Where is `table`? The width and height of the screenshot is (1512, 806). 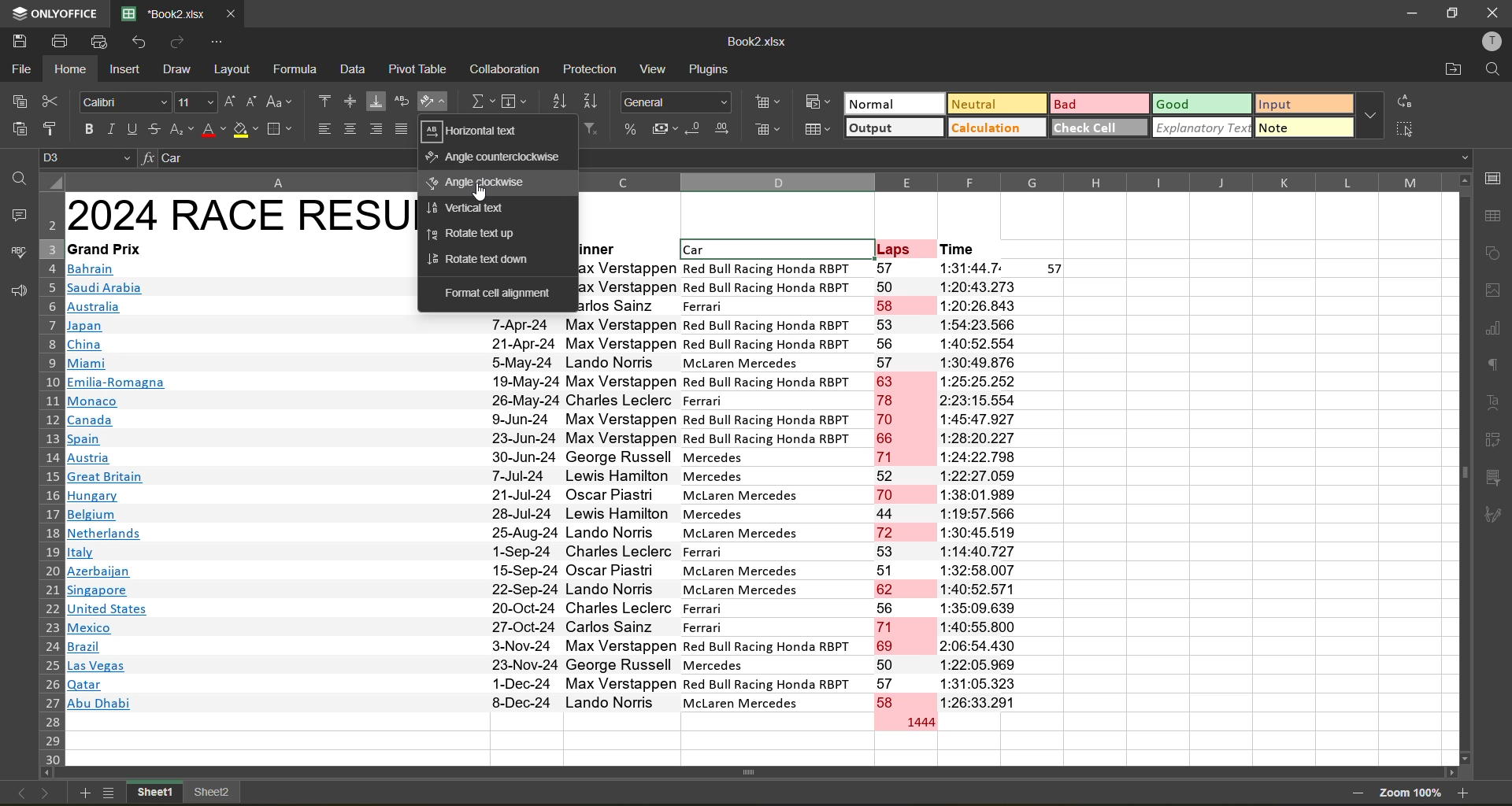
table is located at coordinates (1495, 217).